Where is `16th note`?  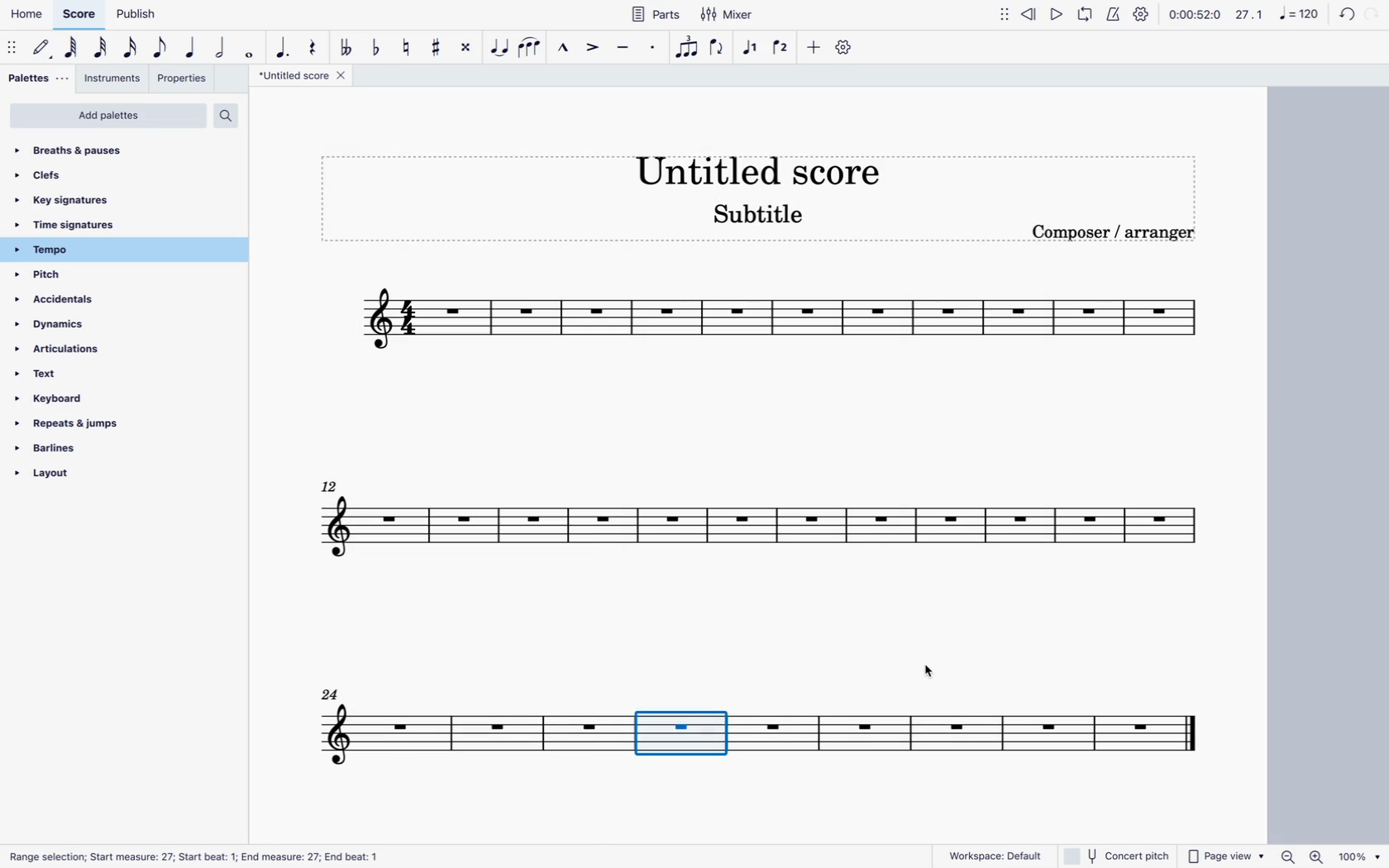
16th note is located at coordinates (131, 48).